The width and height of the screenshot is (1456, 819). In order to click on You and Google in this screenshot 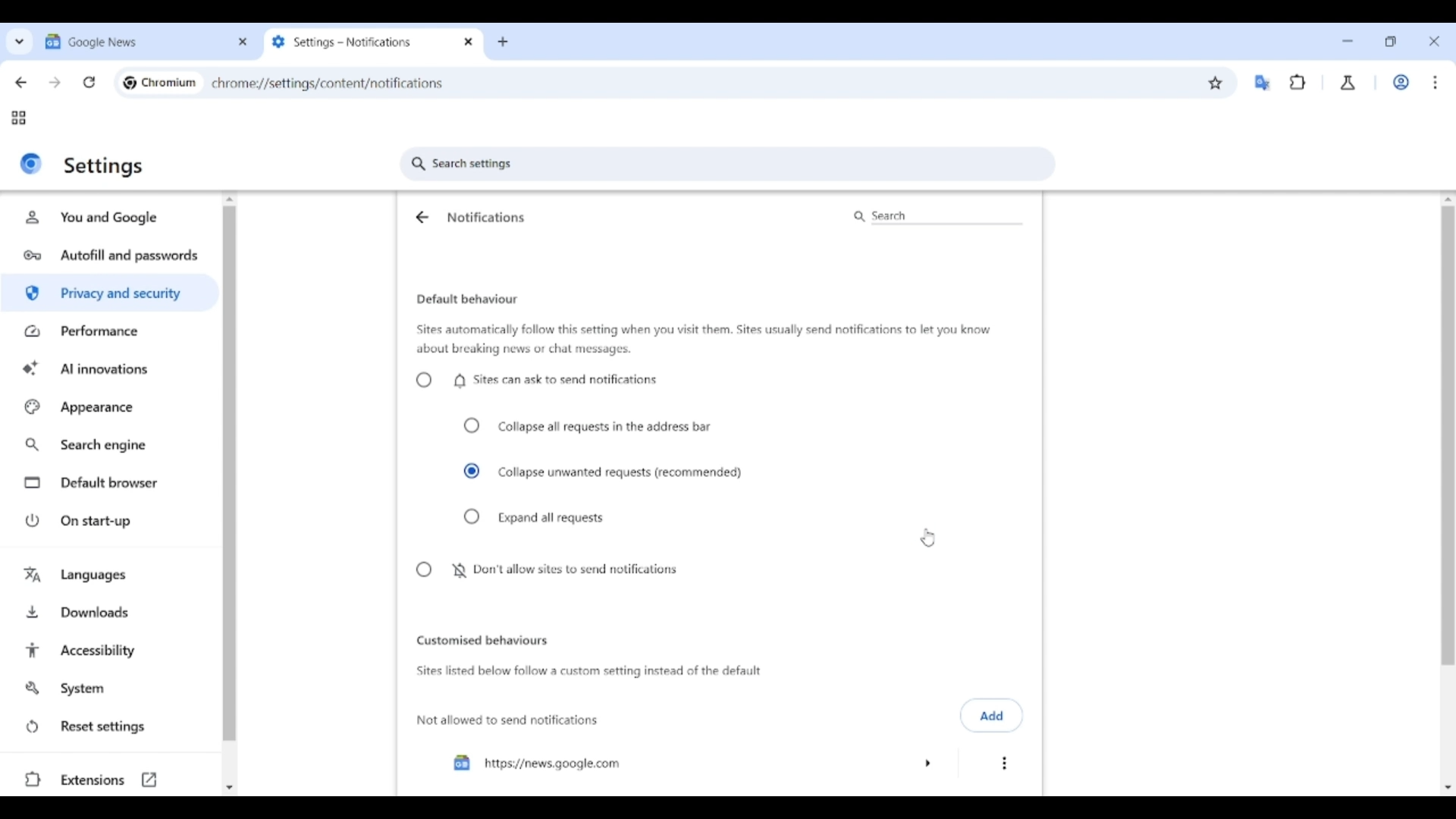, I will do `click(107, 218)`.